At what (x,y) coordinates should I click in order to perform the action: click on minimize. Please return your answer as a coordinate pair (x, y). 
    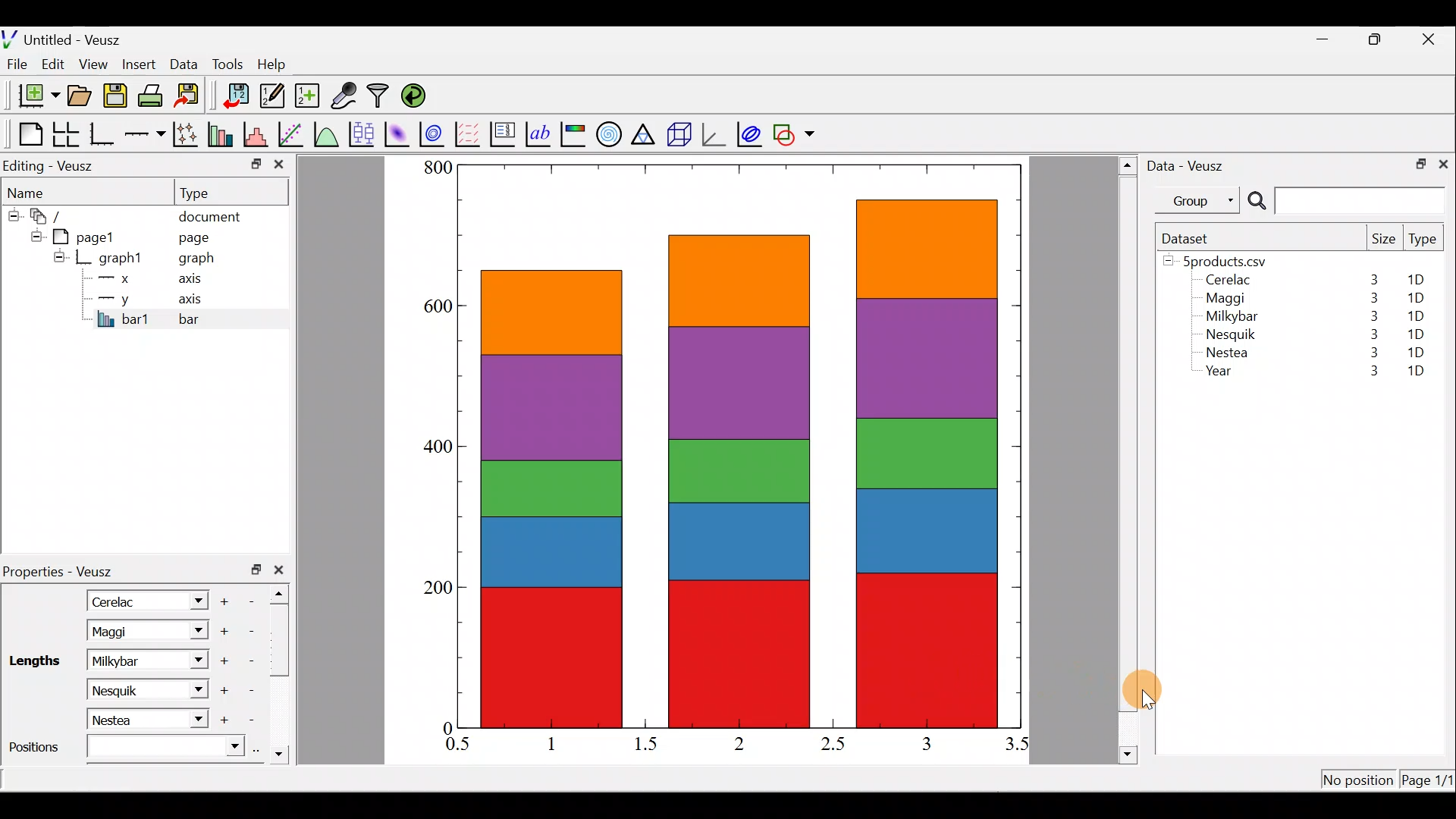
    Looking at the image, I should click on (255, 163).